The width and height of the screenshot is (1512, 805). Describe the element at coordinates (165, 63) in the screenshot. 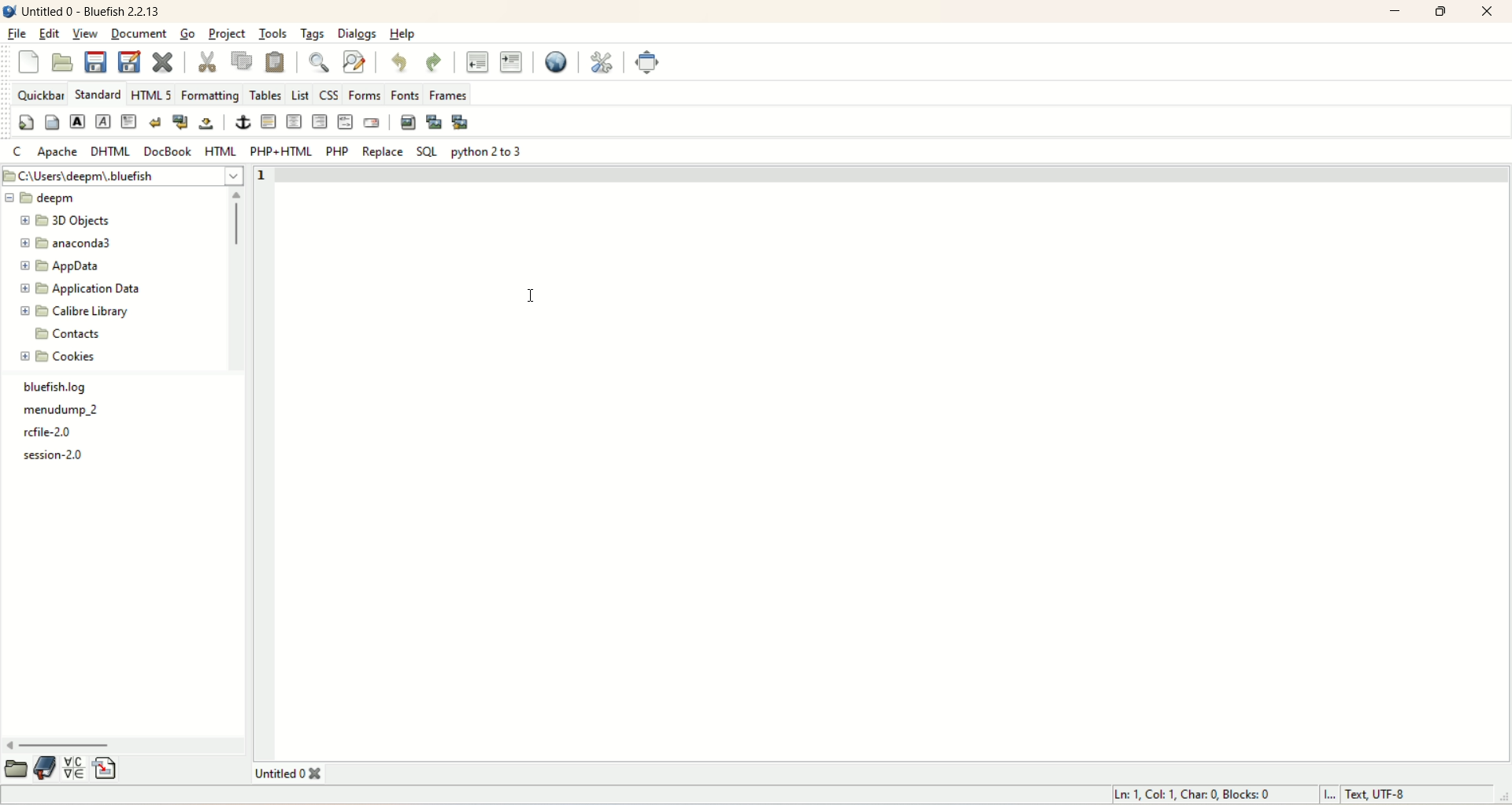

I see `close current file` at that location.